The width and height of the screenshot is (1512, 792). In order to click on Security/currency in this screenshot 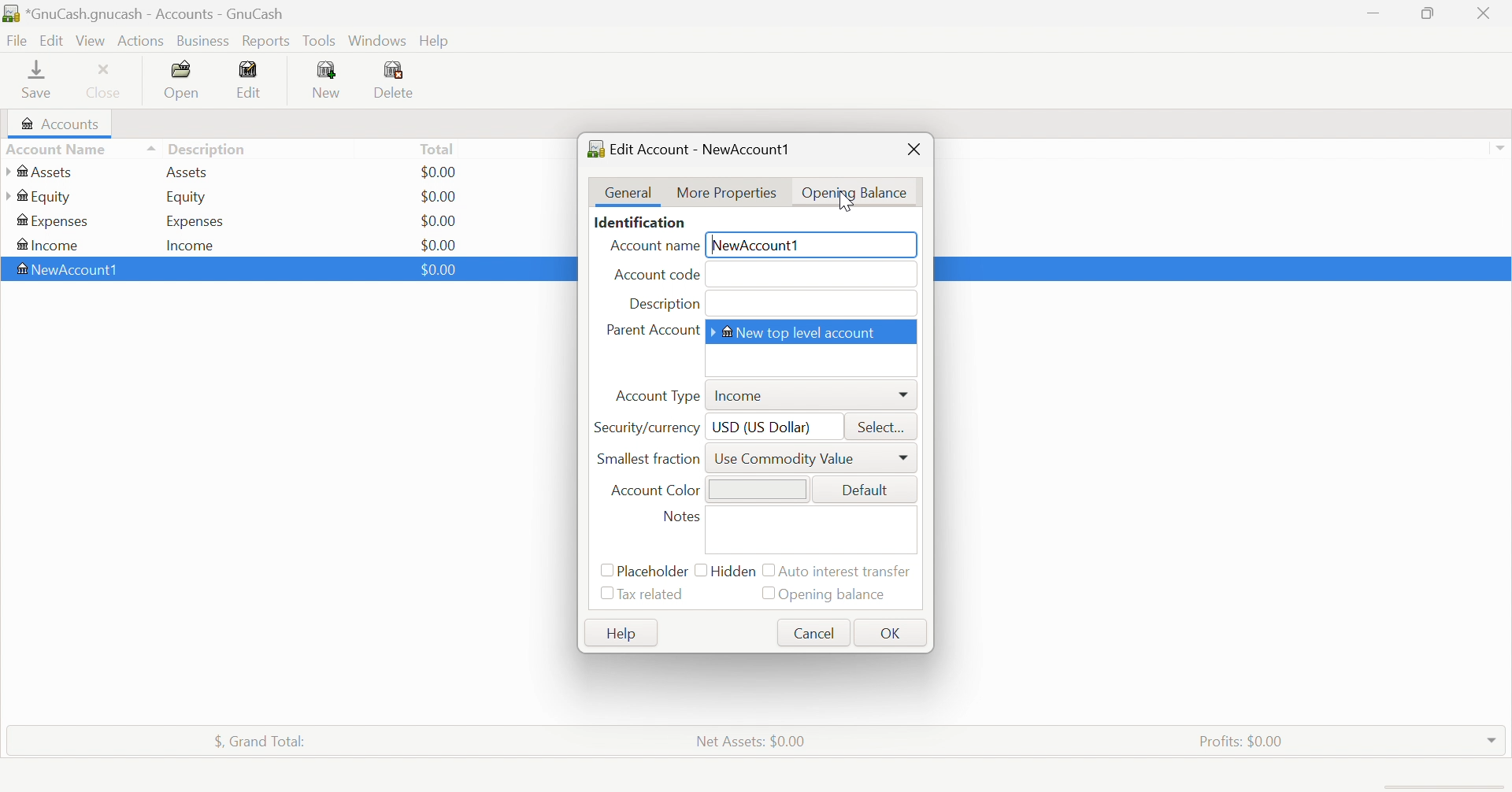, I will do `click(646, 427)`.